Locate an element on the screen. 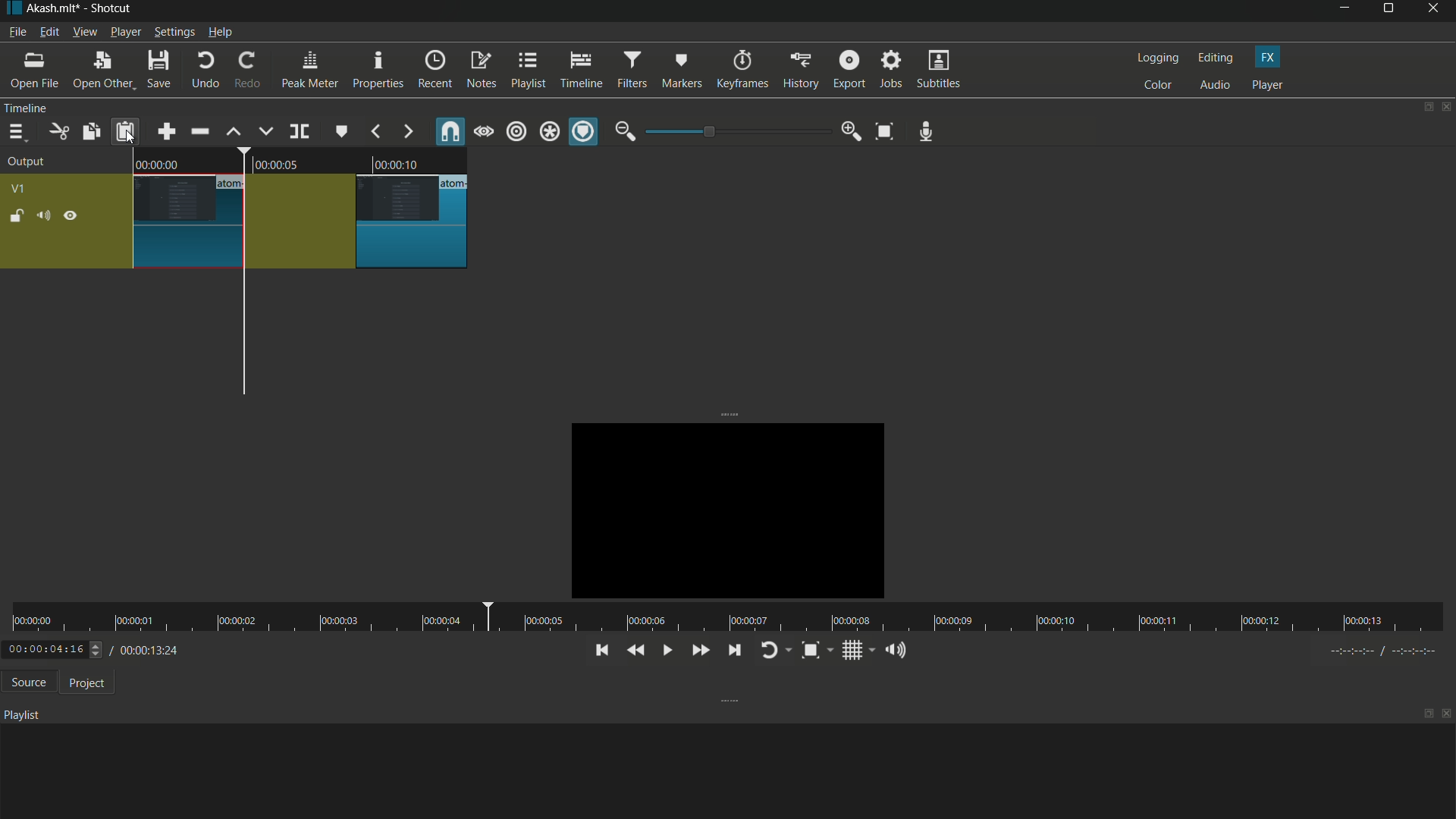 This screenshot has height=819, width=1456. color is located at coordinates (1157, 85).